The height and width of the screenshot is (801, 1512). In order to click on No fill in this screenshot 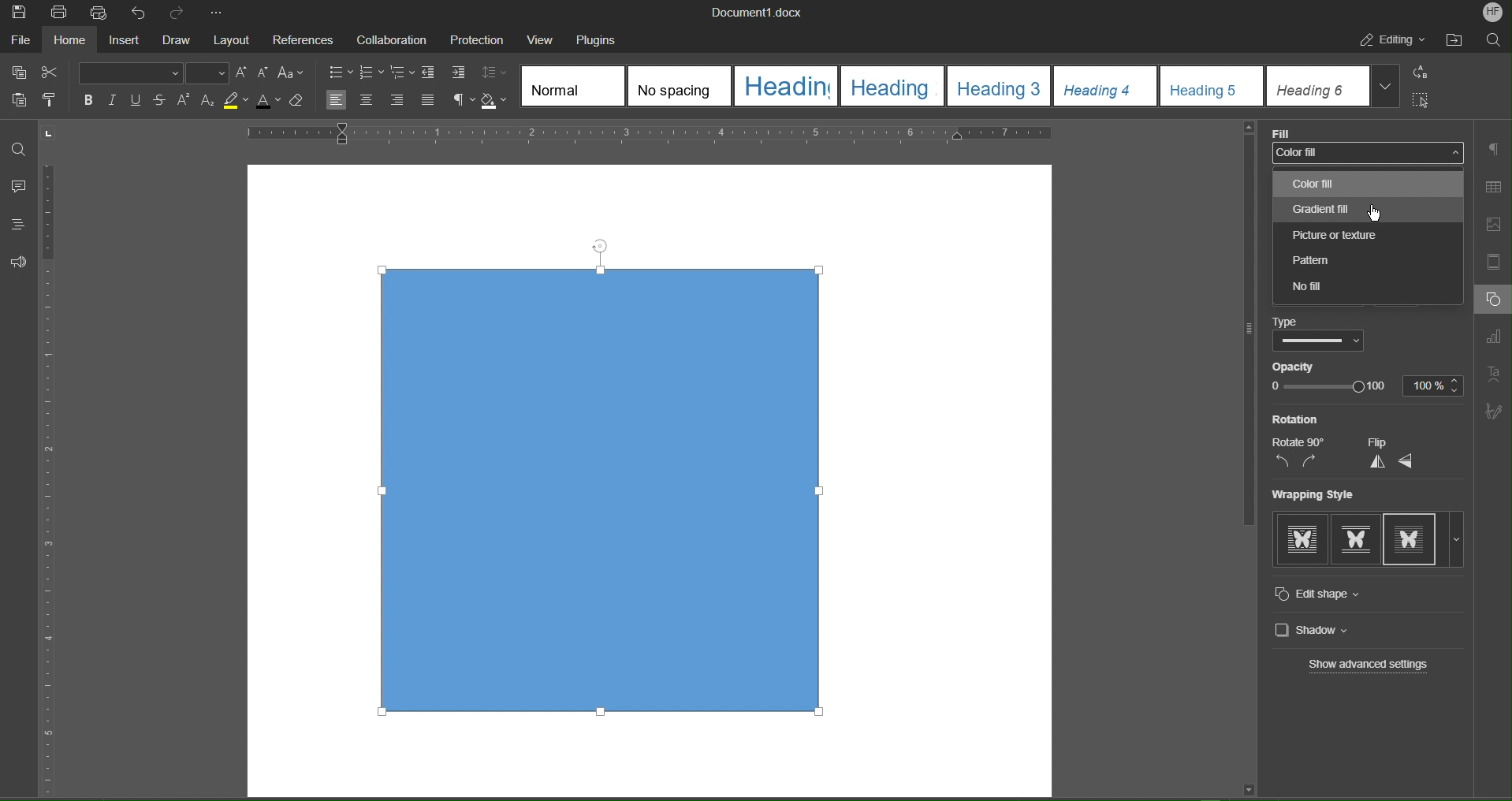, I will do `click(1326, 290)`.